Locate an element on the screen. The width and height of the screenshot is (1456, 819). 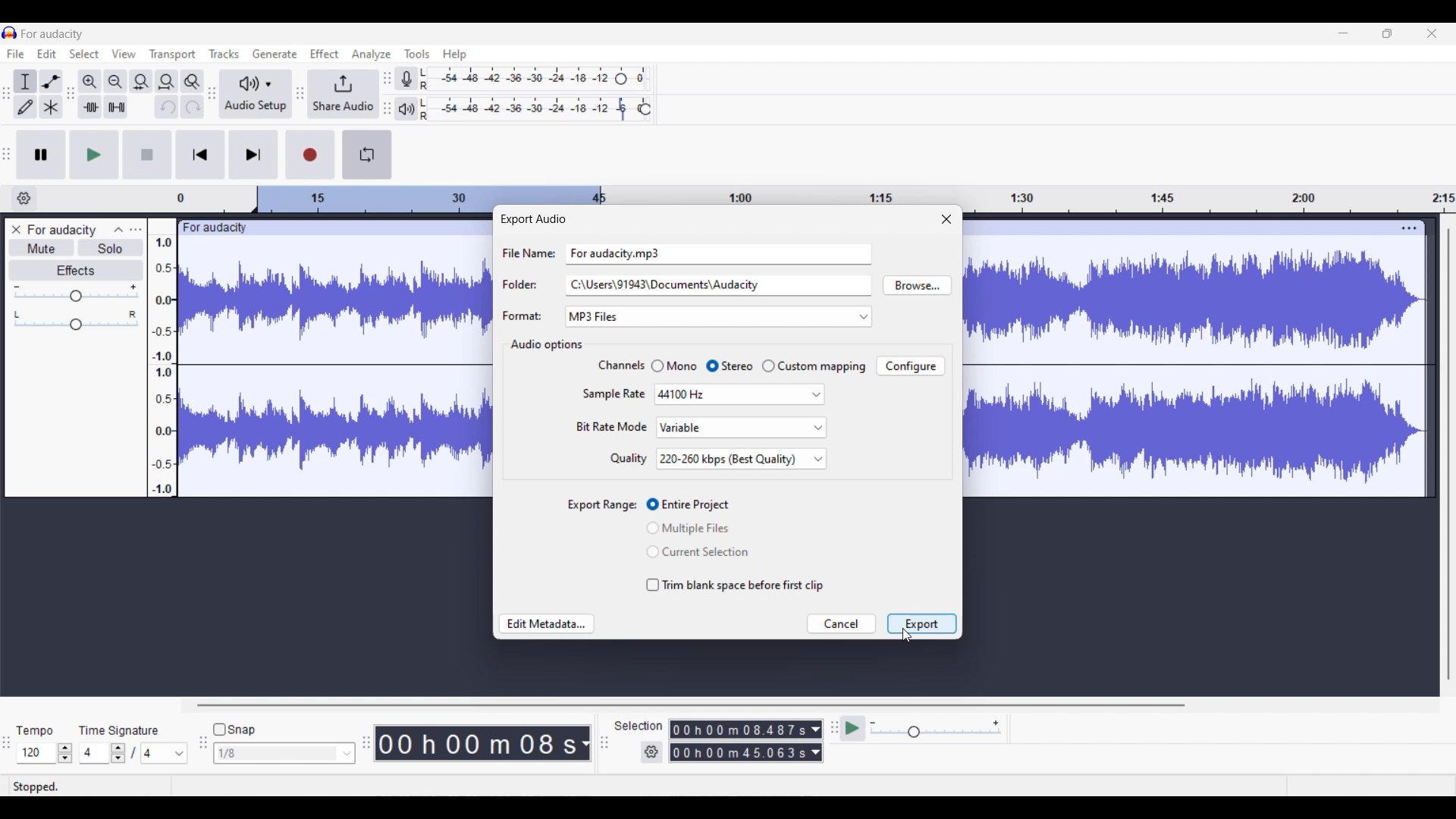
Fit project to width is located at coordinates (168, 82).